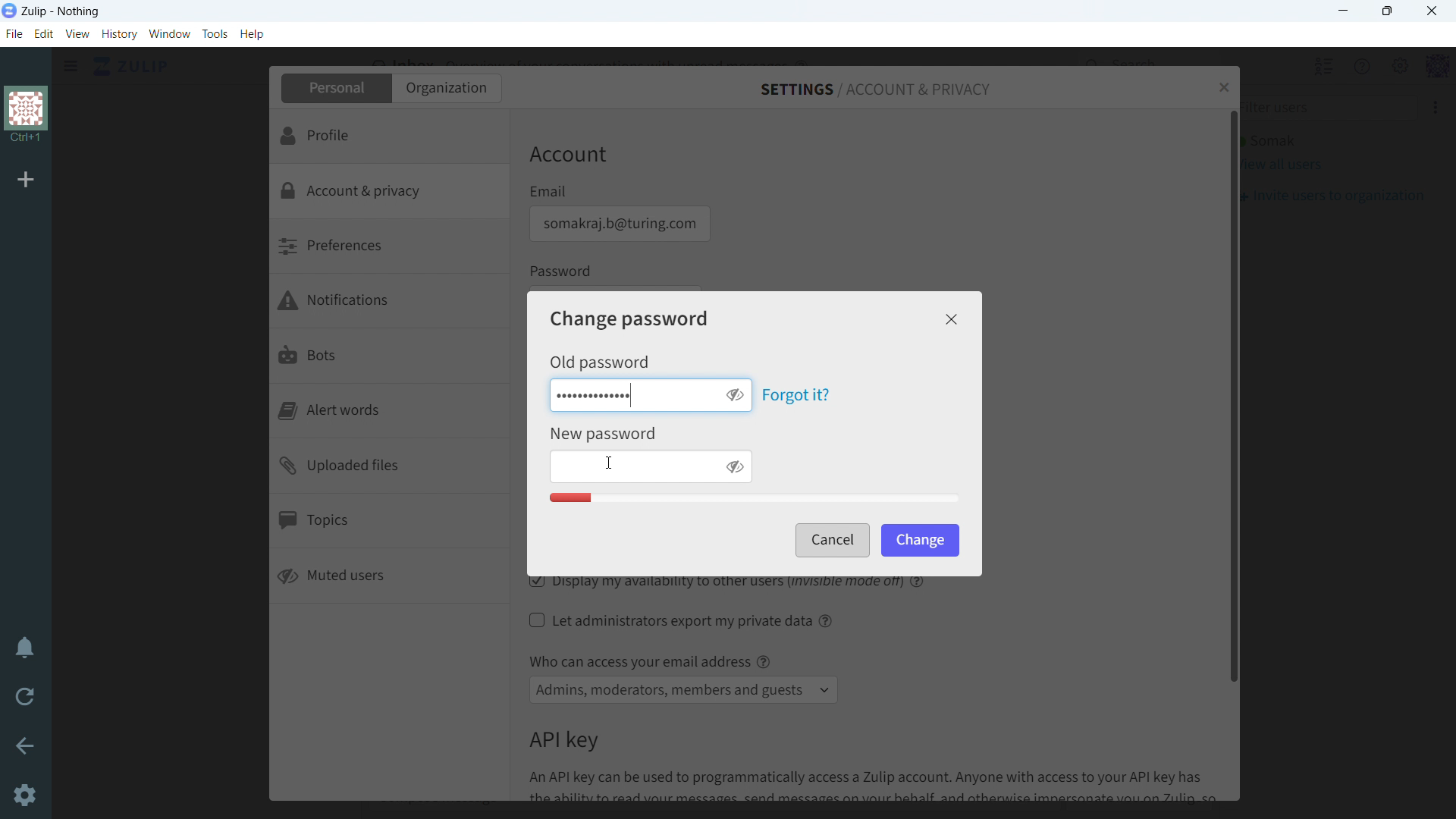  What do you see at coordinates (880, 785) in the screenshot?
I see `An API key can be used to programmatically access a Zulip account. Anyone with access to your API key has` at bounding box center [880, 785].